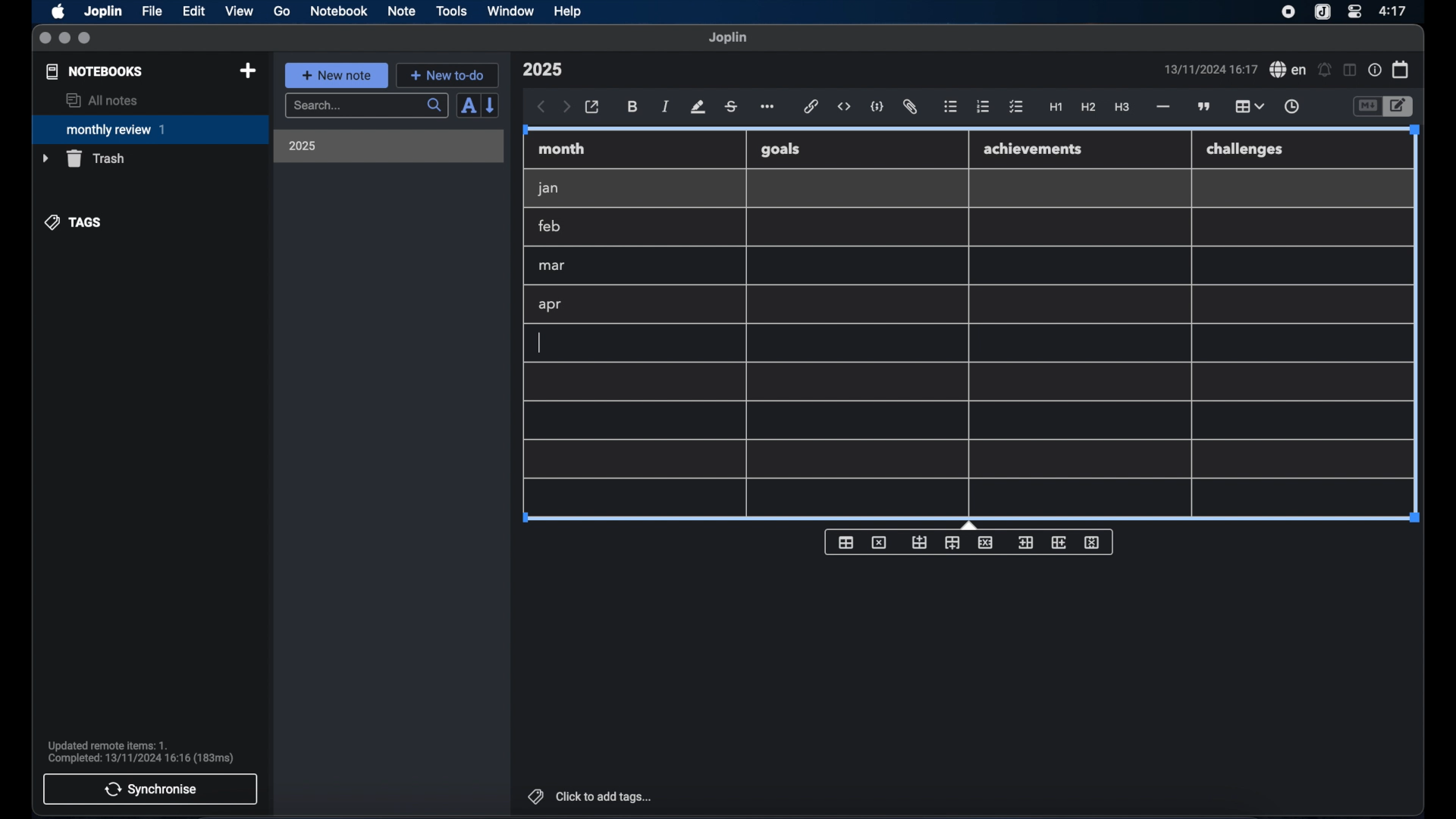  I want to click on toggle editor, so click(1367, 107).